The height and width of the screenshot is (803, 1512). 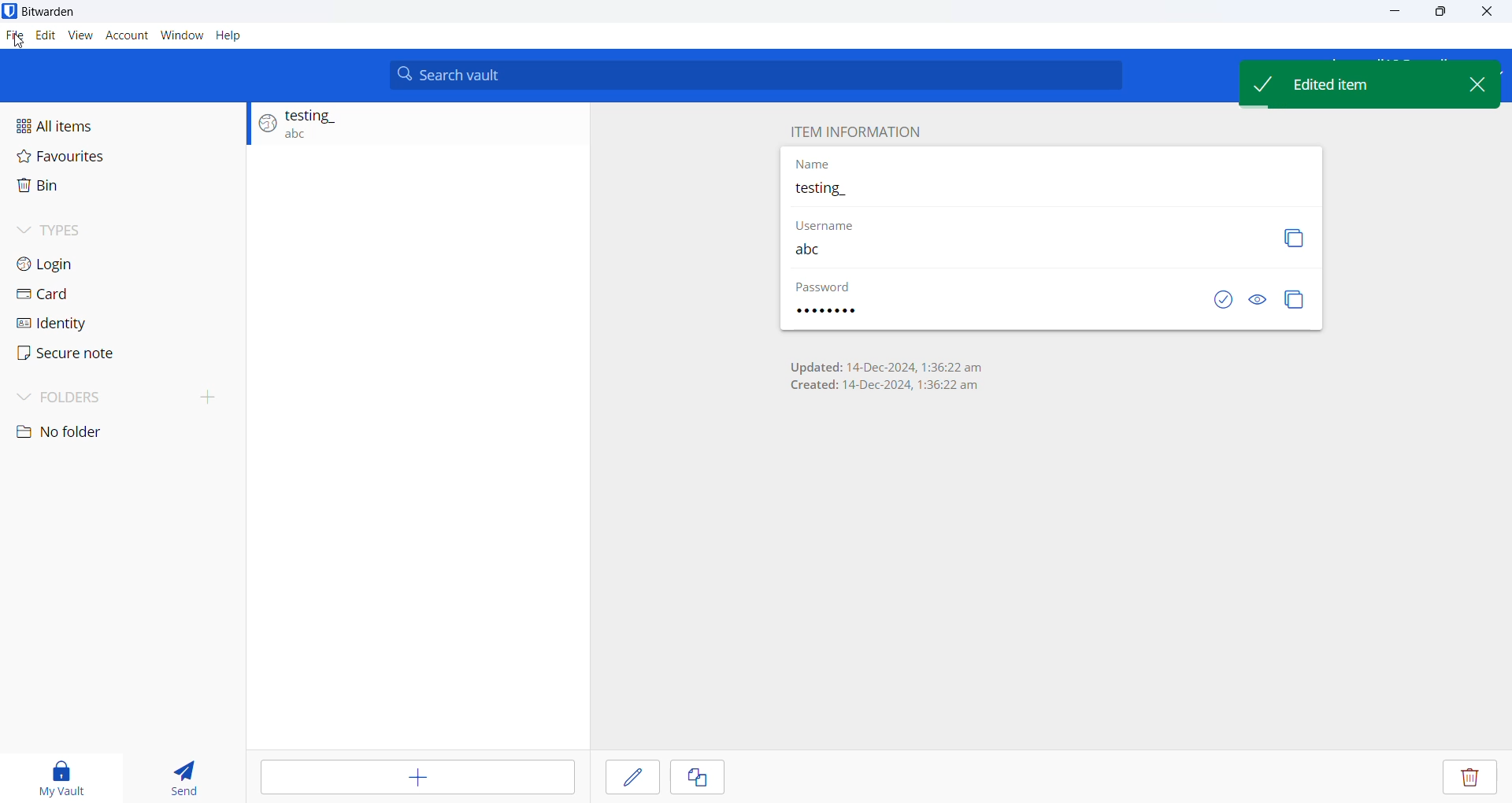 I want to click on Application name , so click(x=69, y=12).